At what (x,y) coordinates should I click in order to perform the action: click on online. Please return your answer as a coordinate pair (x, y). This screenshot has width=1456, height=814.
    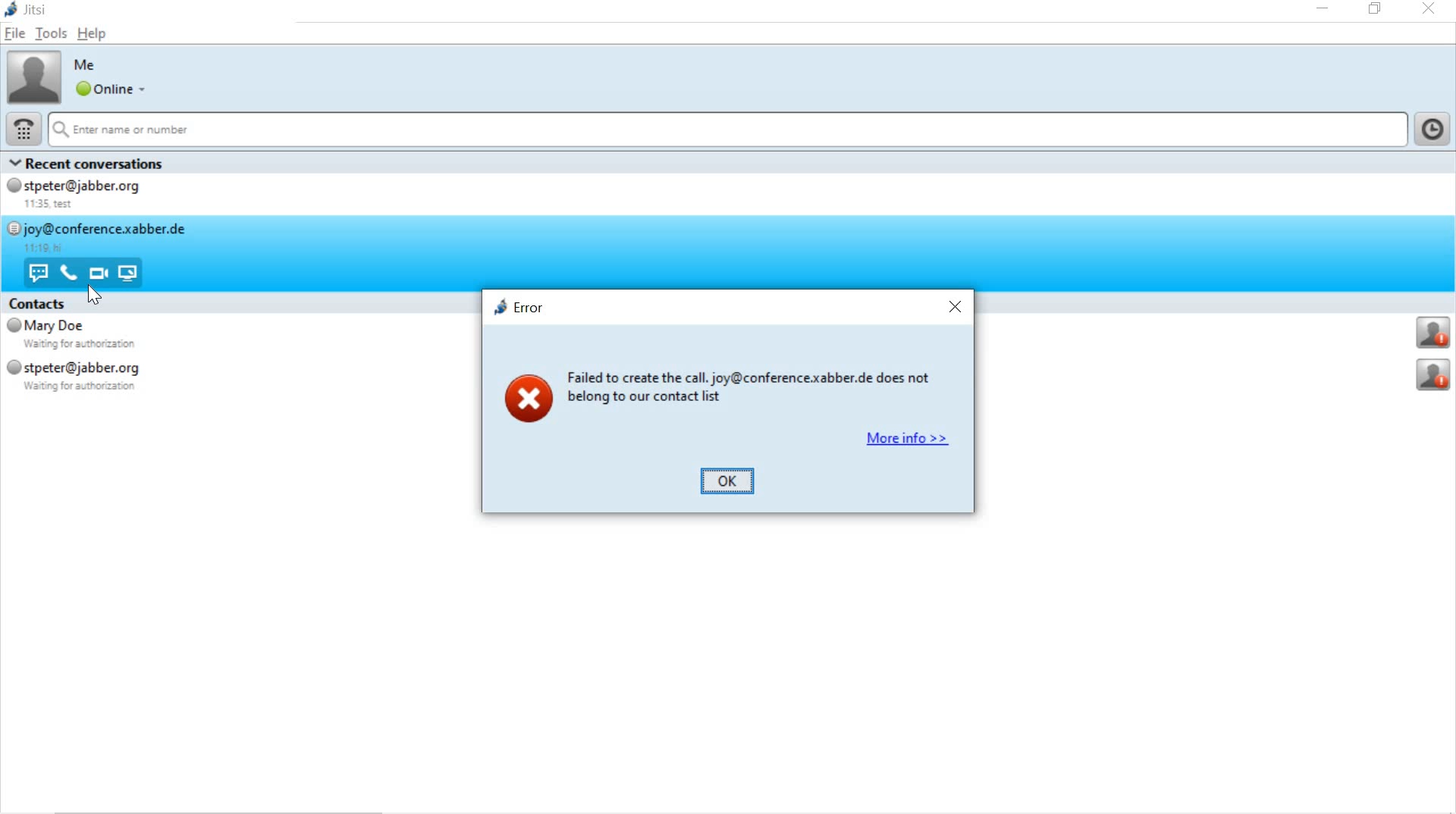
    Looking at the image, I should click on (108, 89).